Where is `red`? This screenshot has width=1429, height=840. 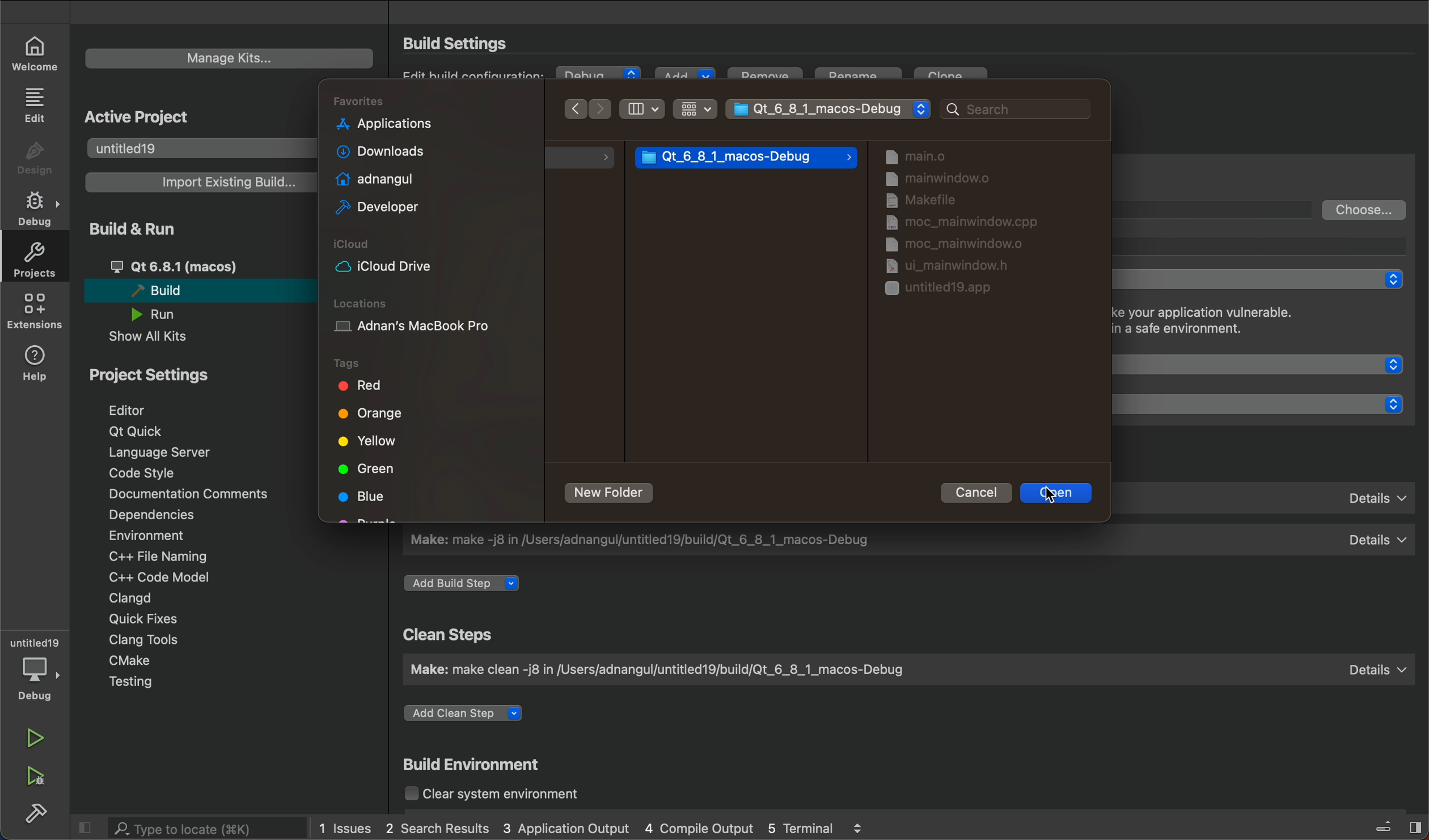
red is located at coordinates (359, 386).